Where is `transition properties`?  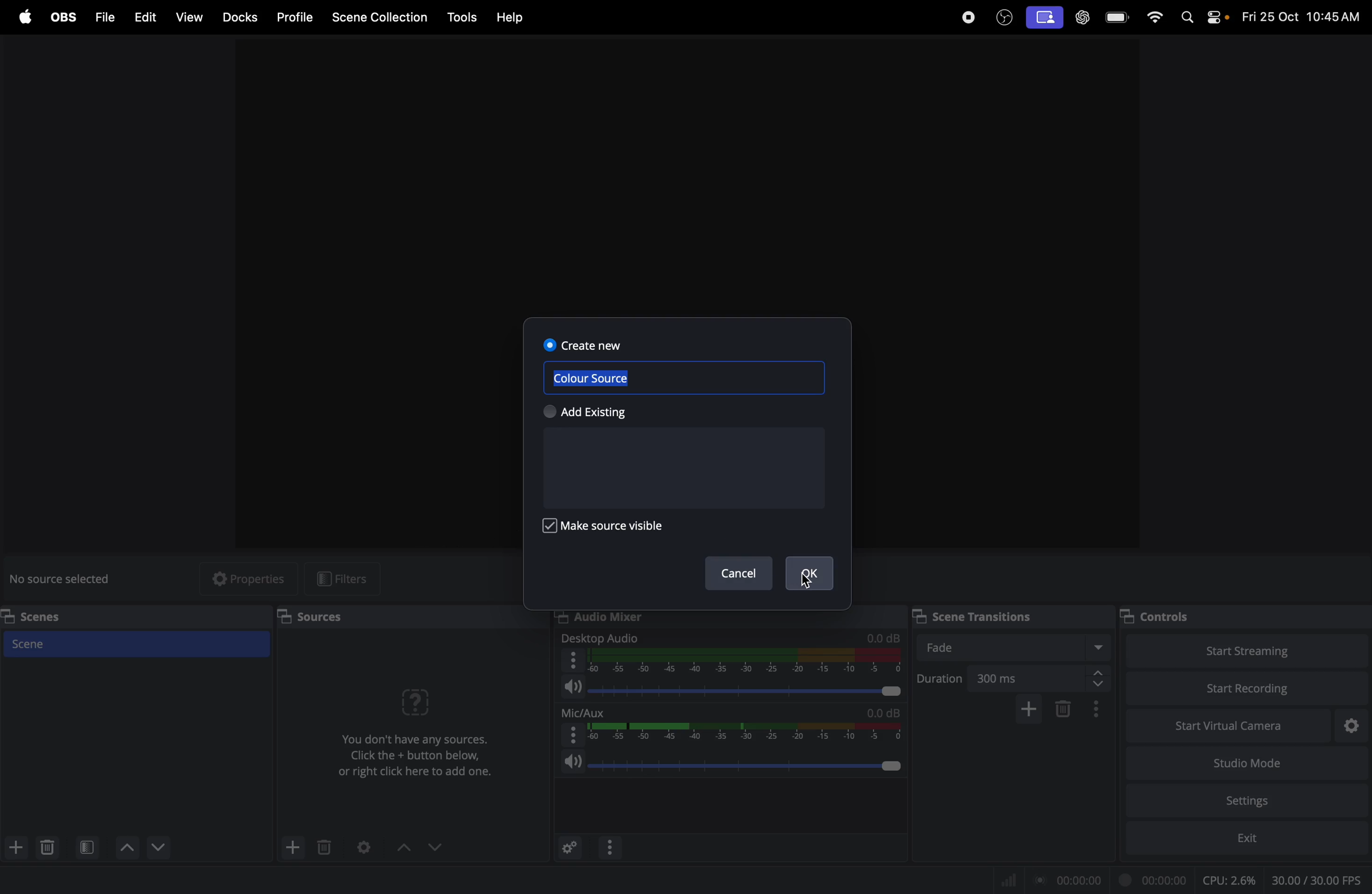
transition properties is located at coordinates (1095, 710).